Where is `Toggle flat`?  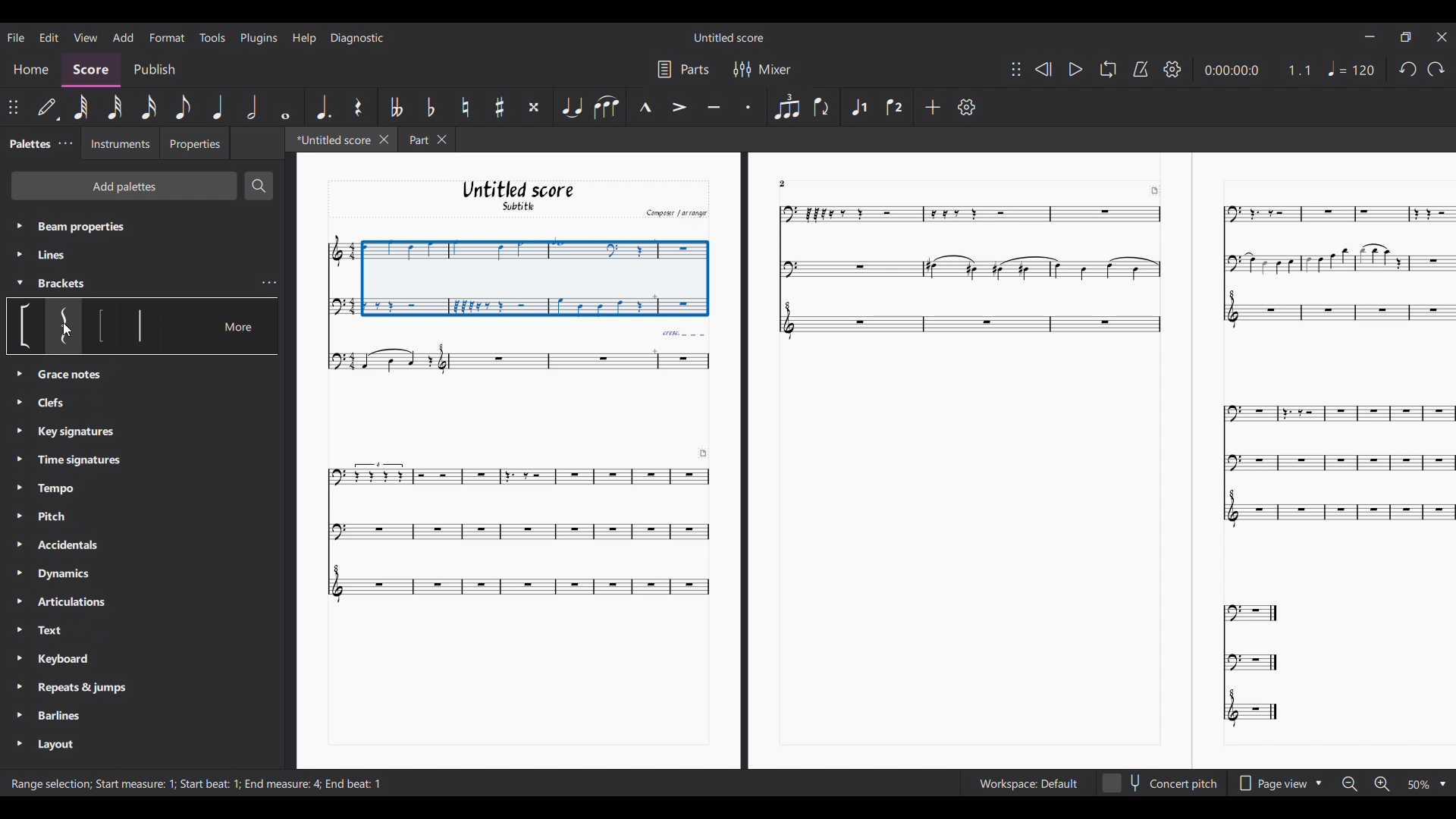
Toggle flat is located at coordinates (430, 107).